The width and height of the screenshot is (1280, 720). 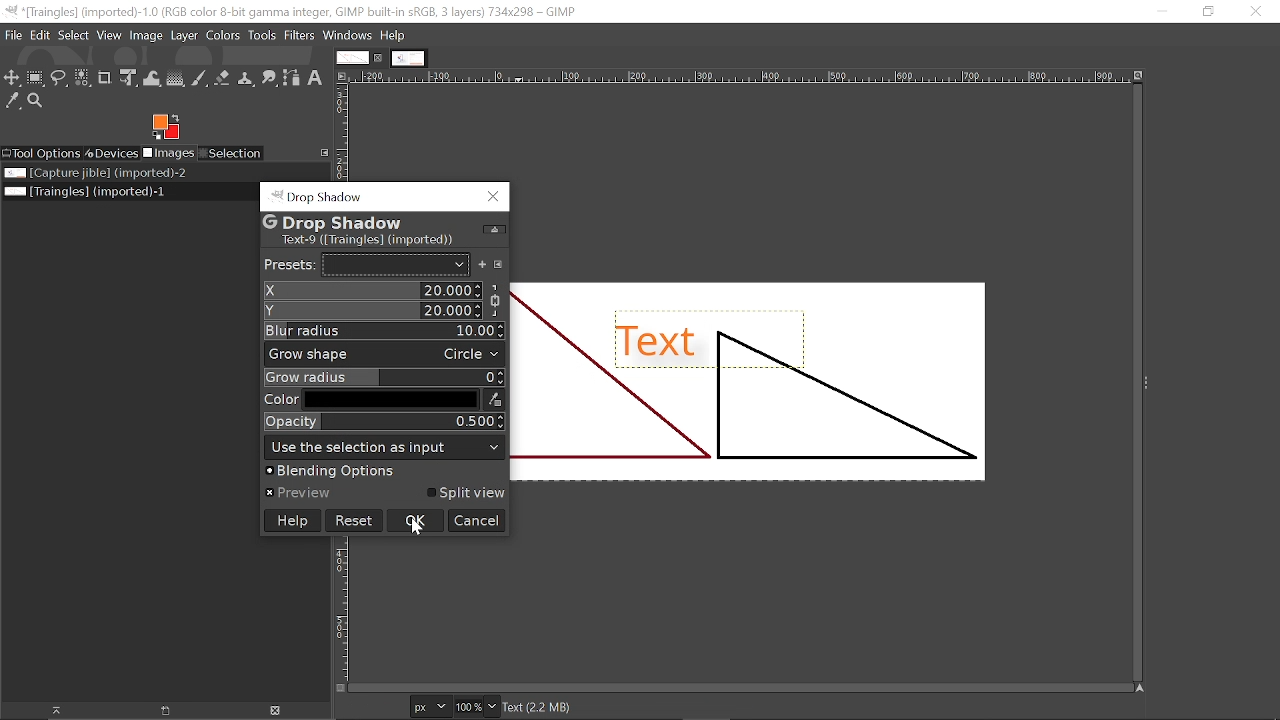 I want to click on up, so click(x=492, y=232).